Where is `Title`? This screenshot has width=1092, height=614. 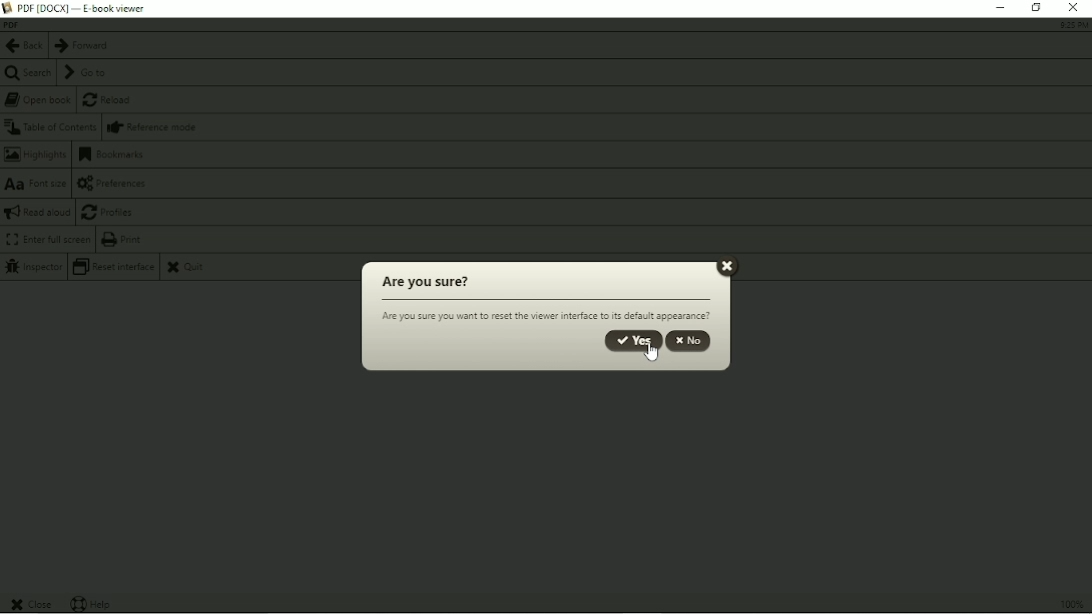 Title is located at coordinates (87, 7).